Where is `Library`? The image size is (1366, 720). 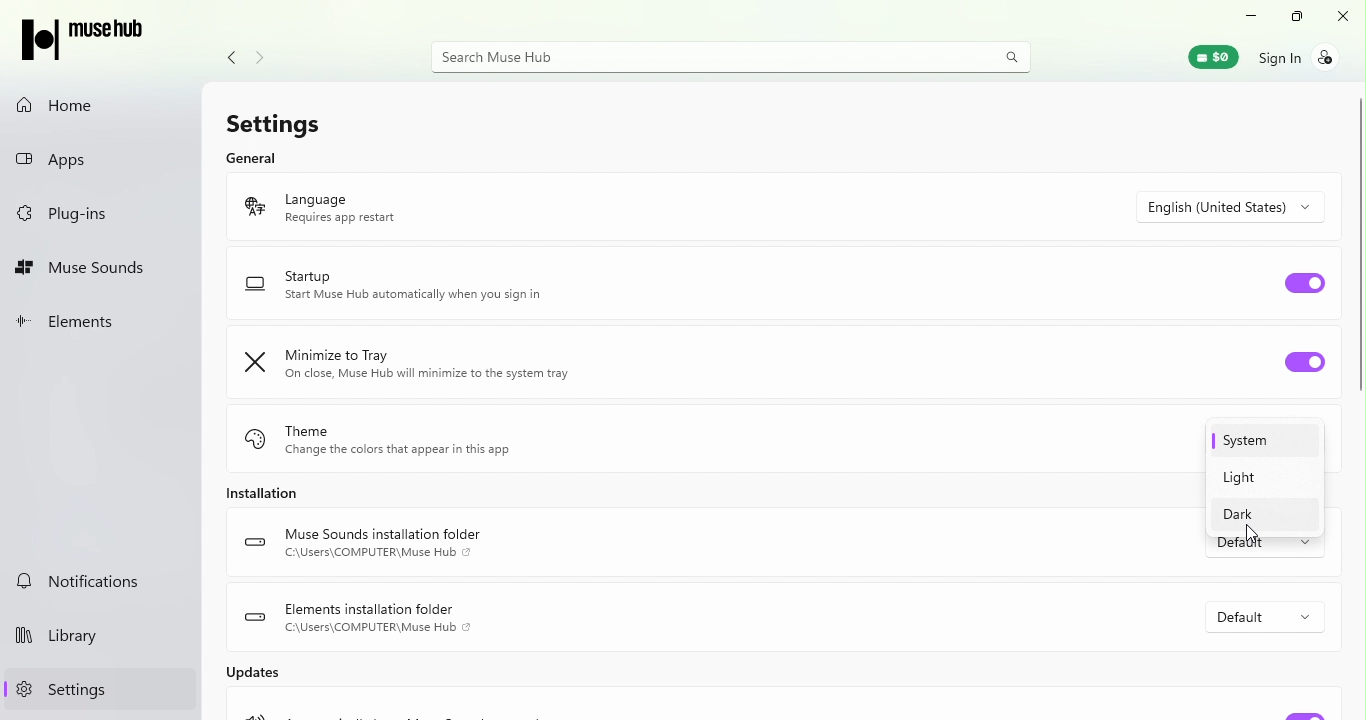 Library is located at coordinates (68, 639).